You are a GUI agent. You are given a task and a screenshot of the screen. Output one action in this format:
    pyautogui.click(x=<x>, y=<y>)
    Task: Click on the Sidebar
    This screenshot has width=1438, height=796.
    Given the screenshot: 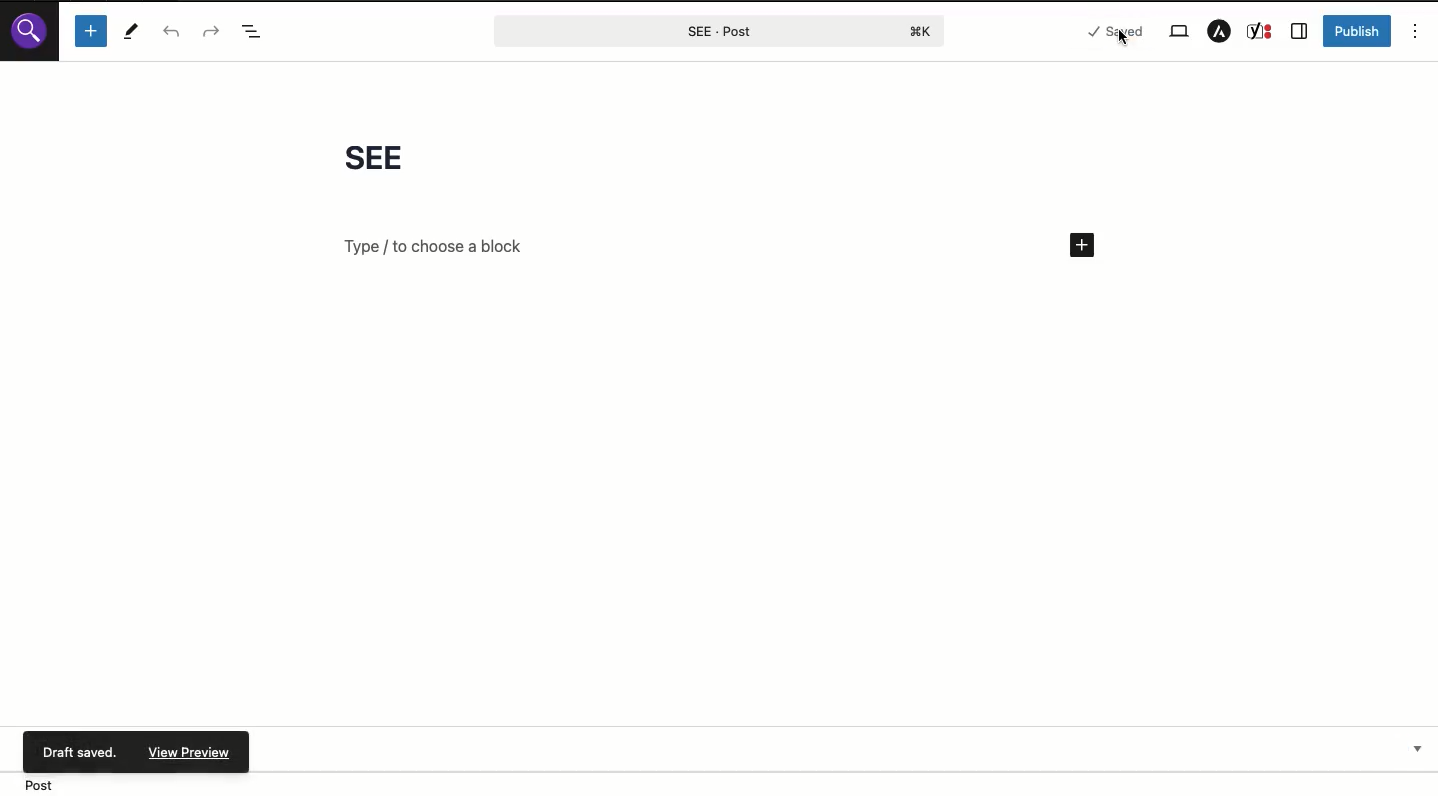 What is the action you would take?
    pyautogui.click(x=1300, y=32)
    